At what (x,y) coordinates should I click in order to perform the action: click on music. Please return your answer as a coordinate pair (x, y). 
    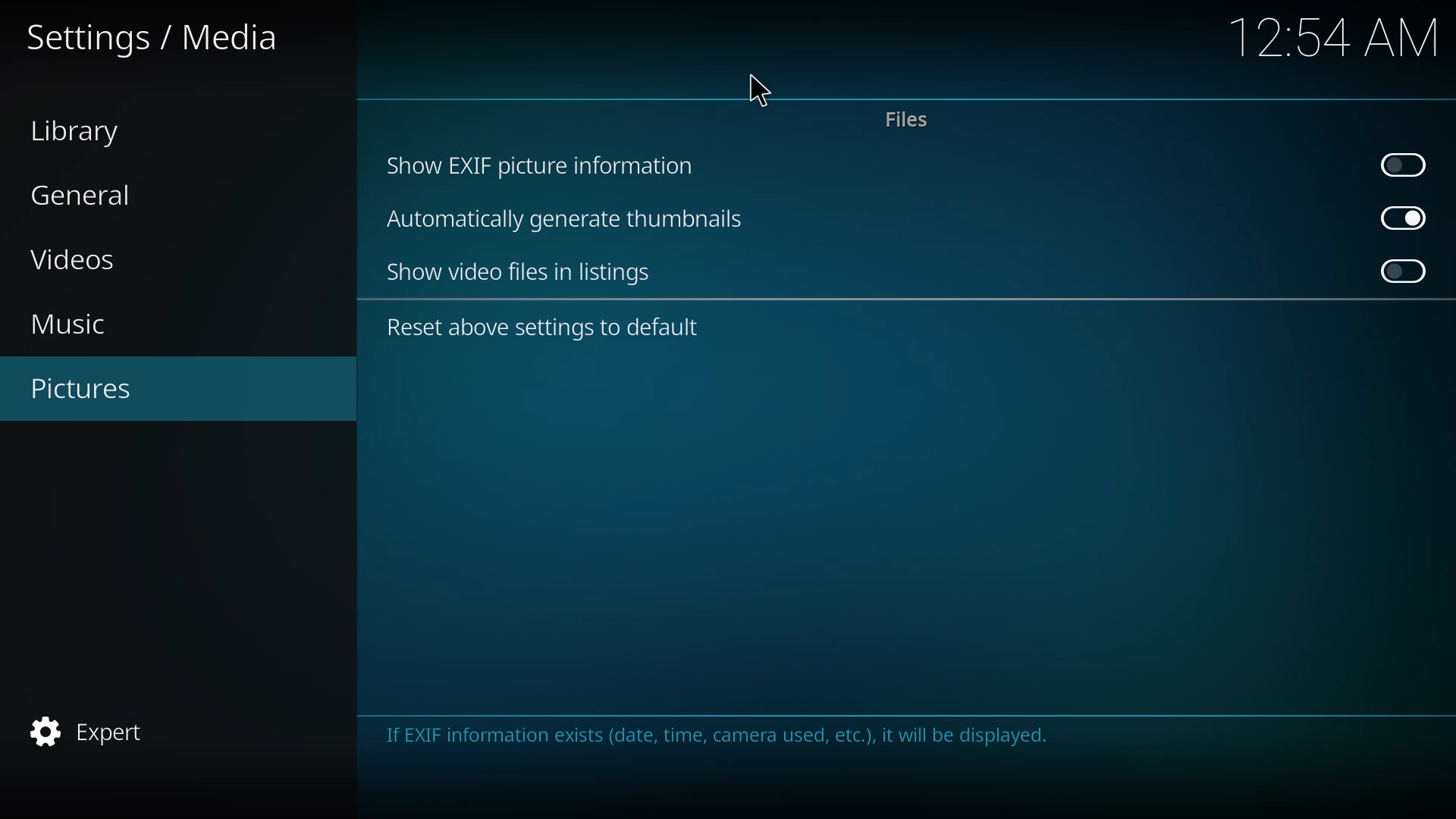
    Looking at the image, I should click on (83, 322).